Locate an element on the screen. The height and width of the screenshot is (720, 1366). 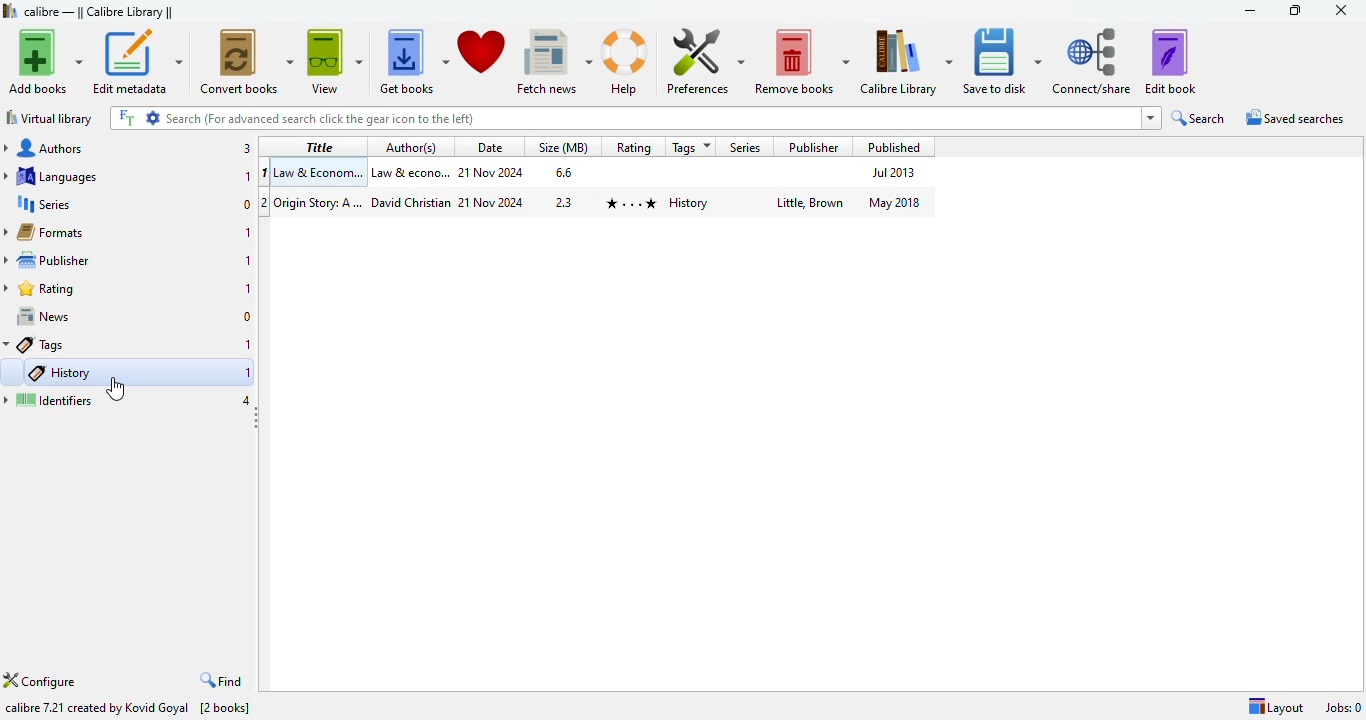
date is located at coordinates (491, 148).